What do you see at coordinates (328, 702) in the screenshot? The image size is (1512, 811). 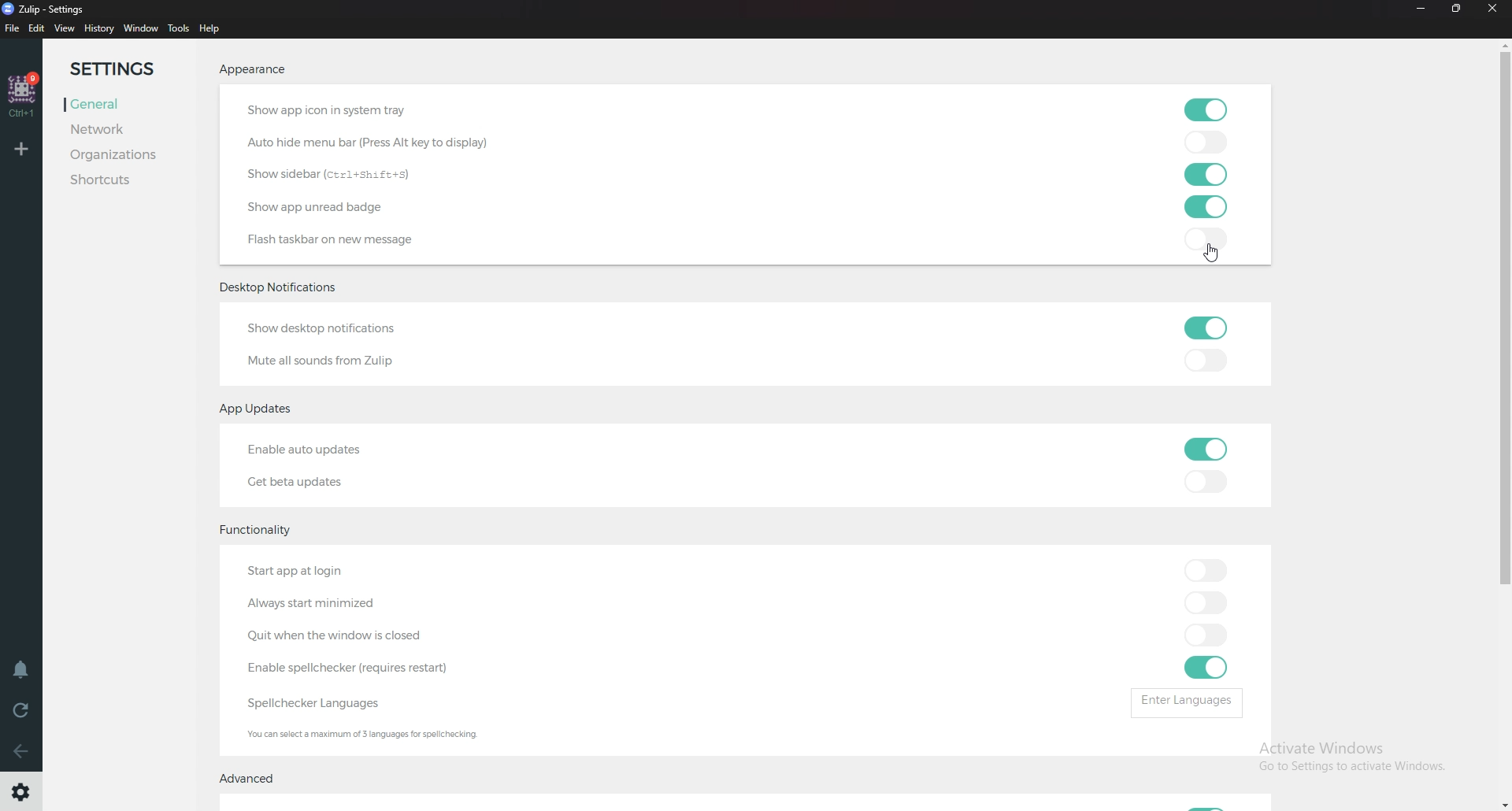 I see `Spellchecker languages` at bounding box center [328, 702].